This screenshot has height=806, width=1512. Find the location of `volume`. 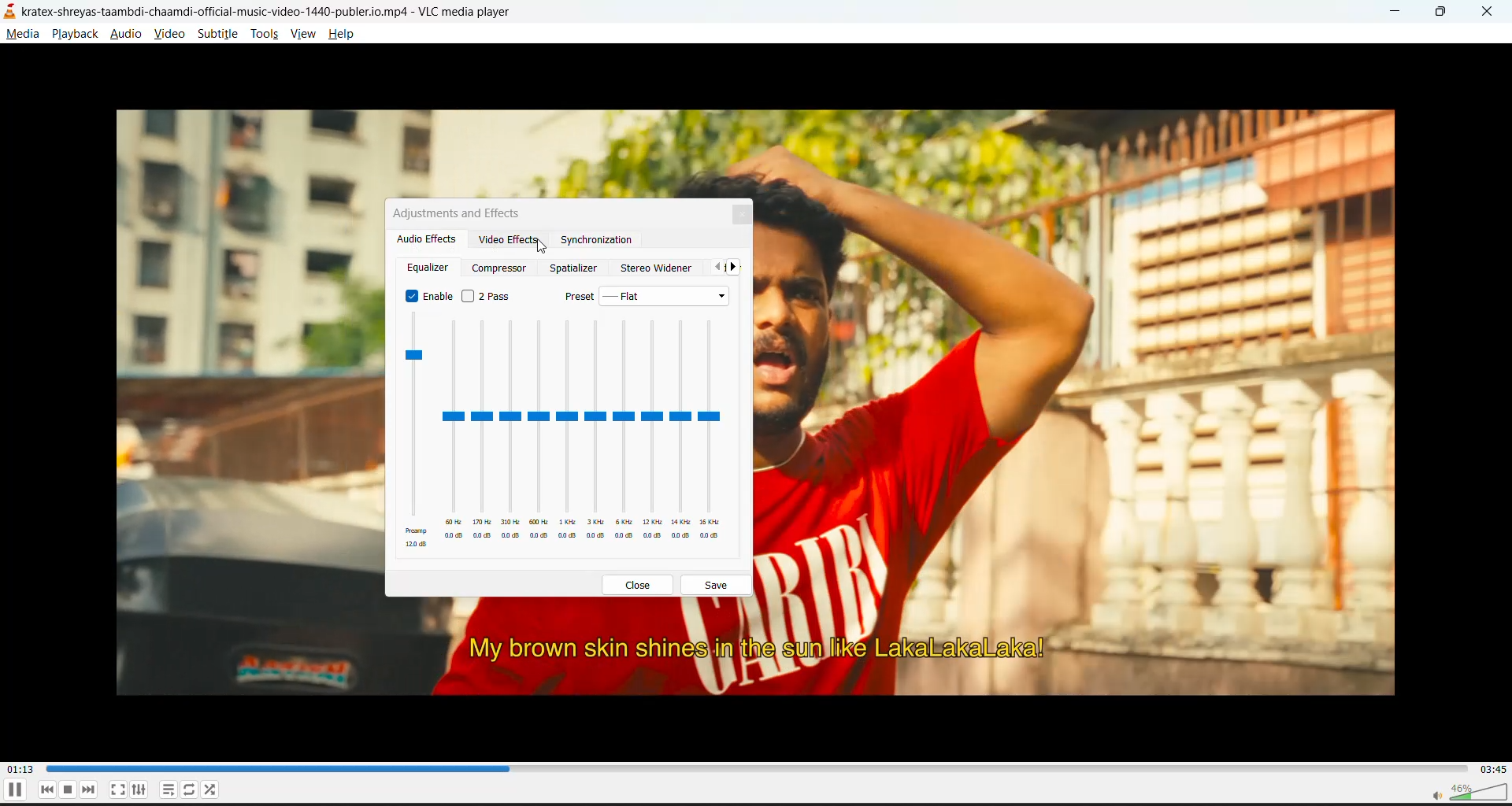

volume is located at coordinates (1467, 793).